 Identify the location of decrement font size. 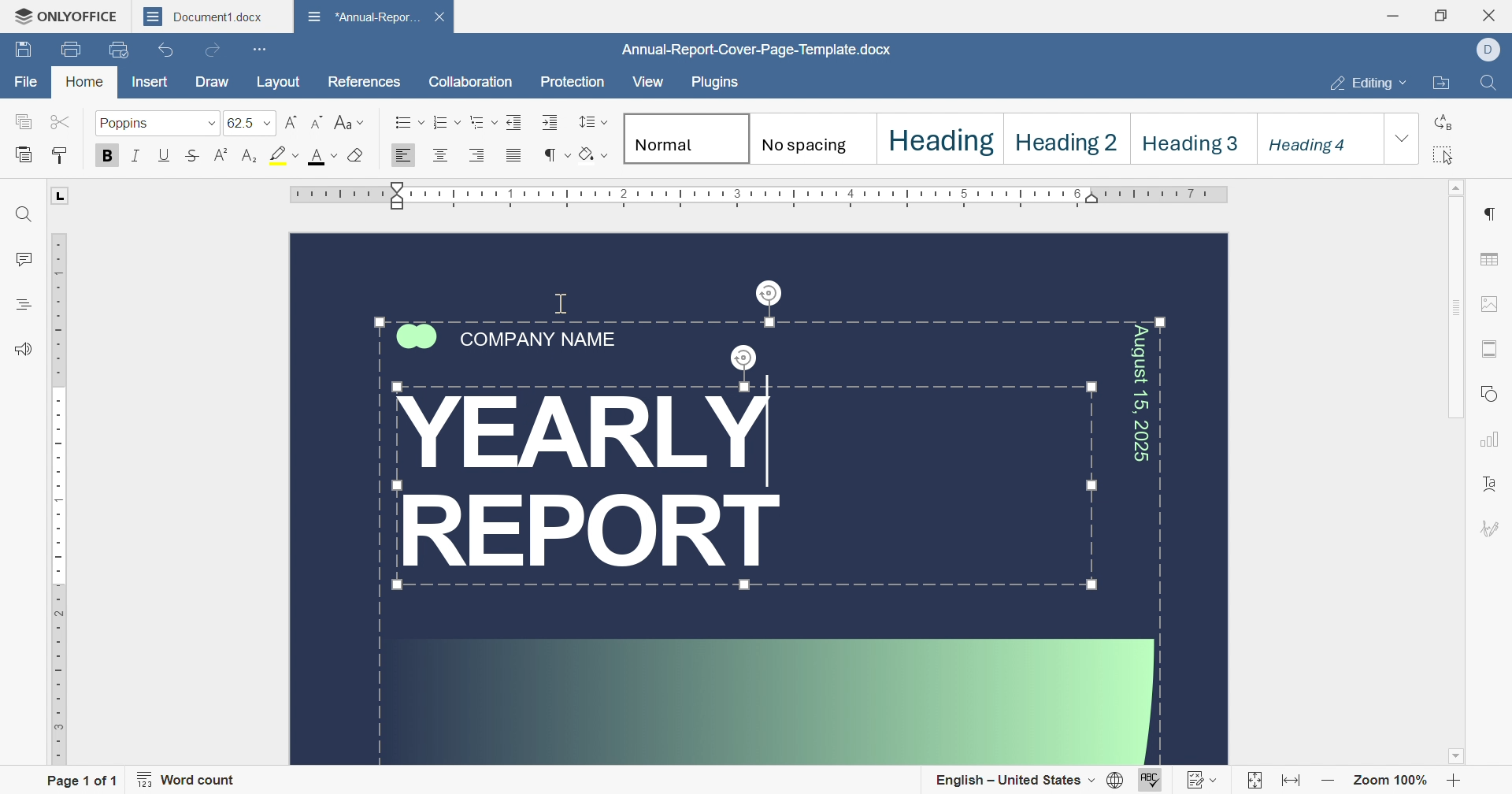
(319, 123).